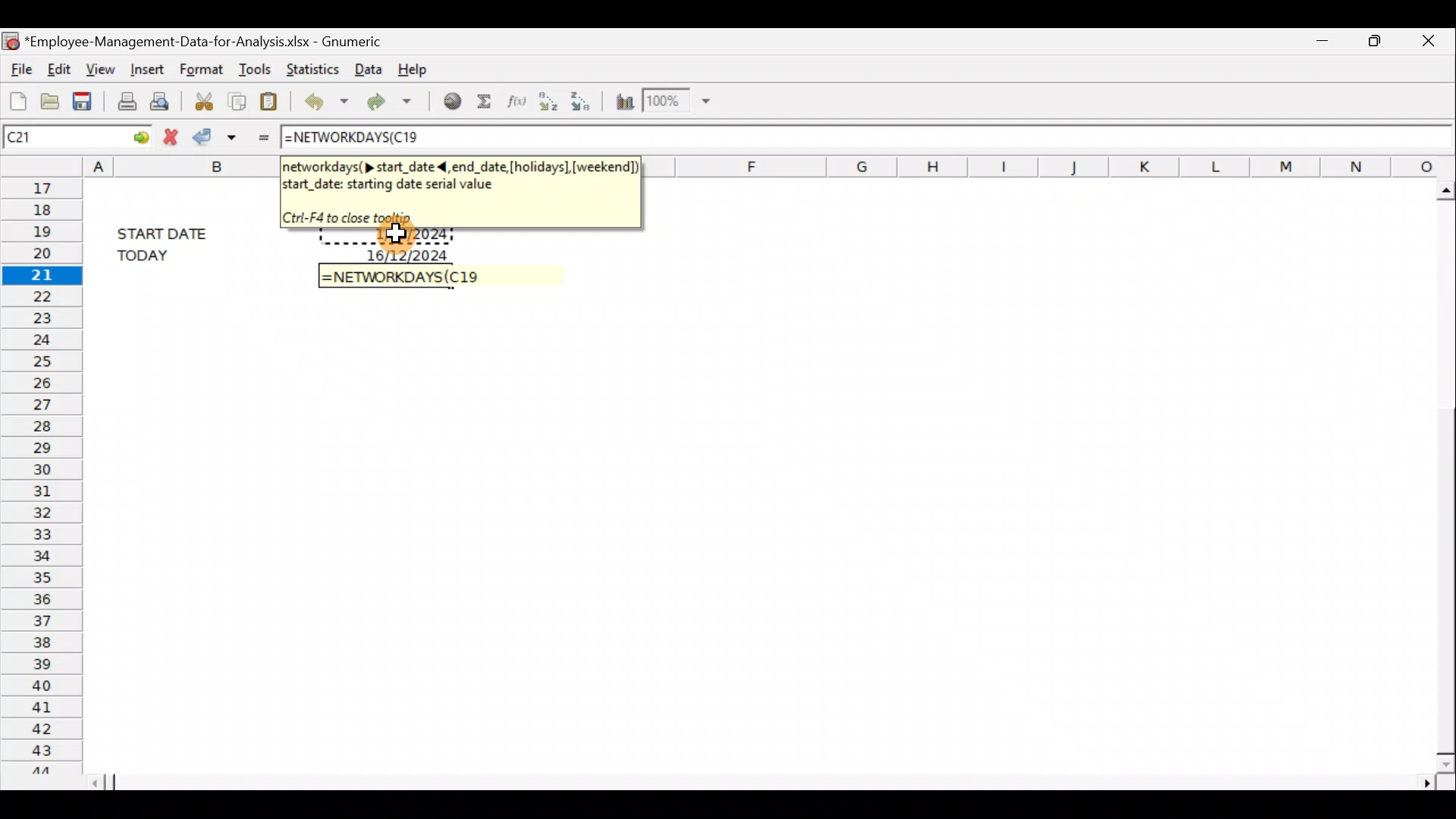 Image resolution: width=1456 pixels, height=819 pixels. What do you see at coordinates (323, 99) in the screenshot?
I see `Undo last action` at bounding box center [323, 99].